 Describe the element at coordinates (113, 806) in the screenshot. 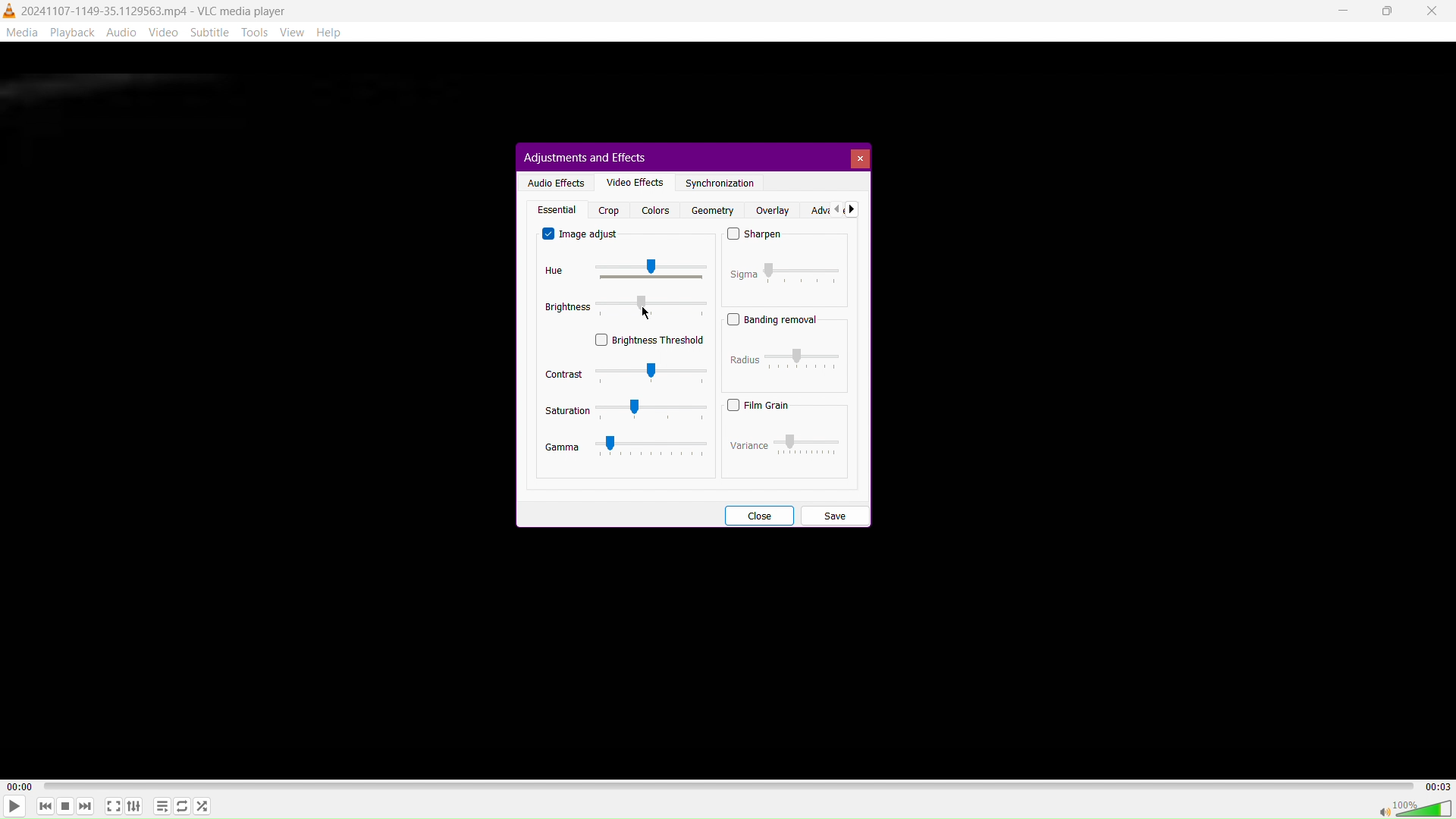

I see `Fullscreen` at that location.